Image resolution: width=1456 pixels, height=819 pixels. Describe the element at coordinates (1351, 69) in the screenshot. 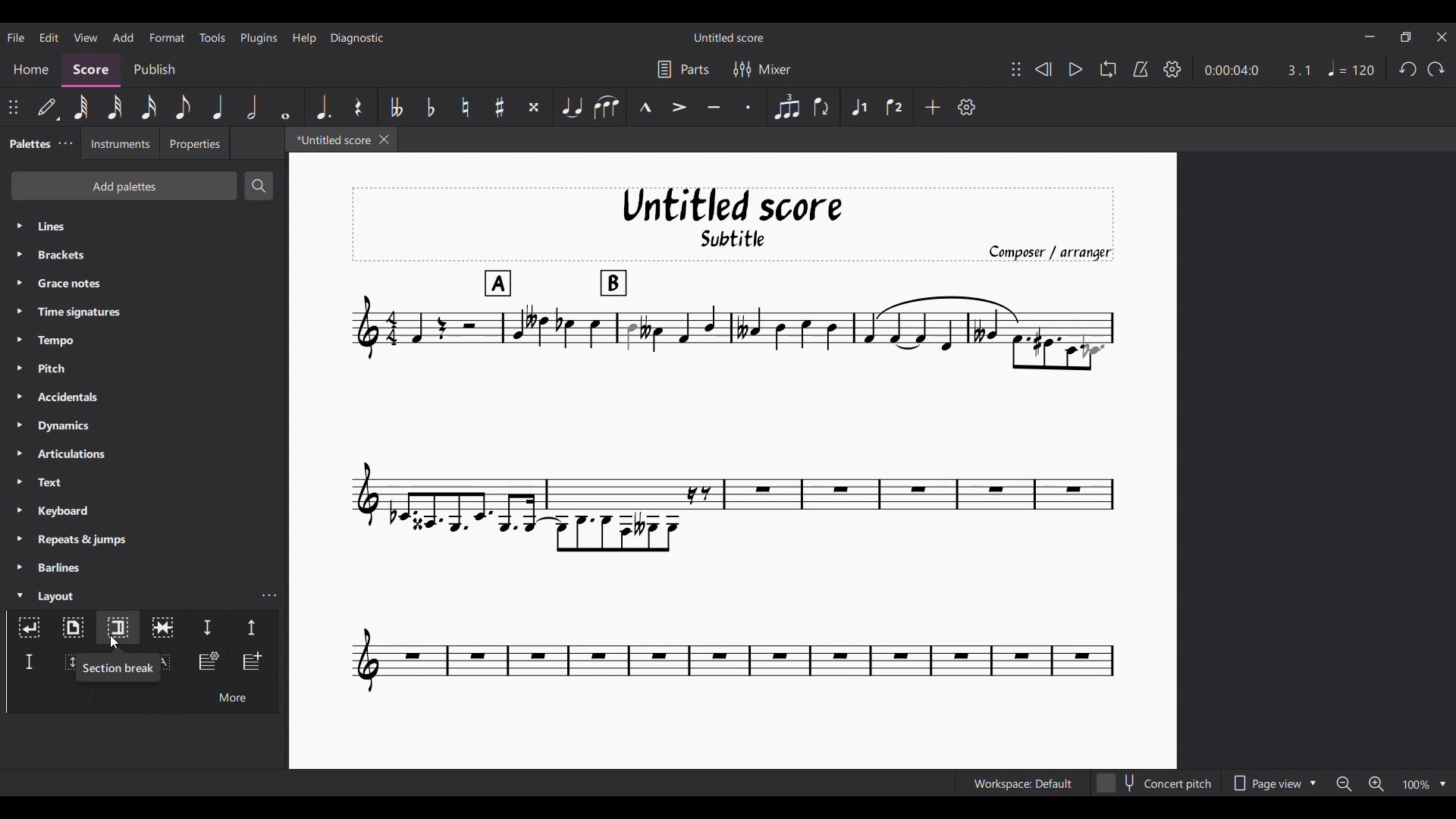

I see `Tempo` at that location.